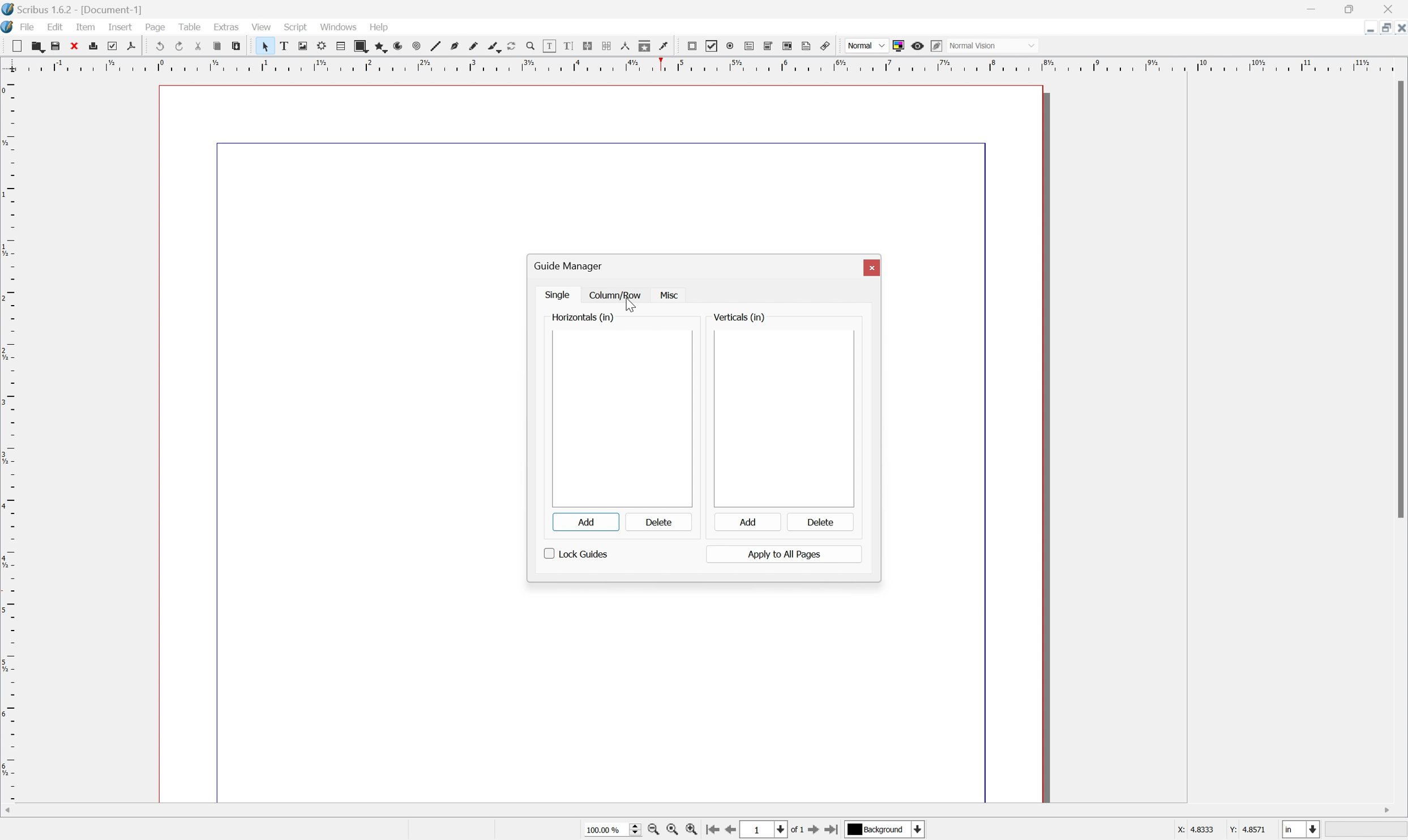 The width and height of the screenshot is (1408, 840). Describe the element at coordinates (692, 829) in the screenshot. I see `zoom in` at that location.